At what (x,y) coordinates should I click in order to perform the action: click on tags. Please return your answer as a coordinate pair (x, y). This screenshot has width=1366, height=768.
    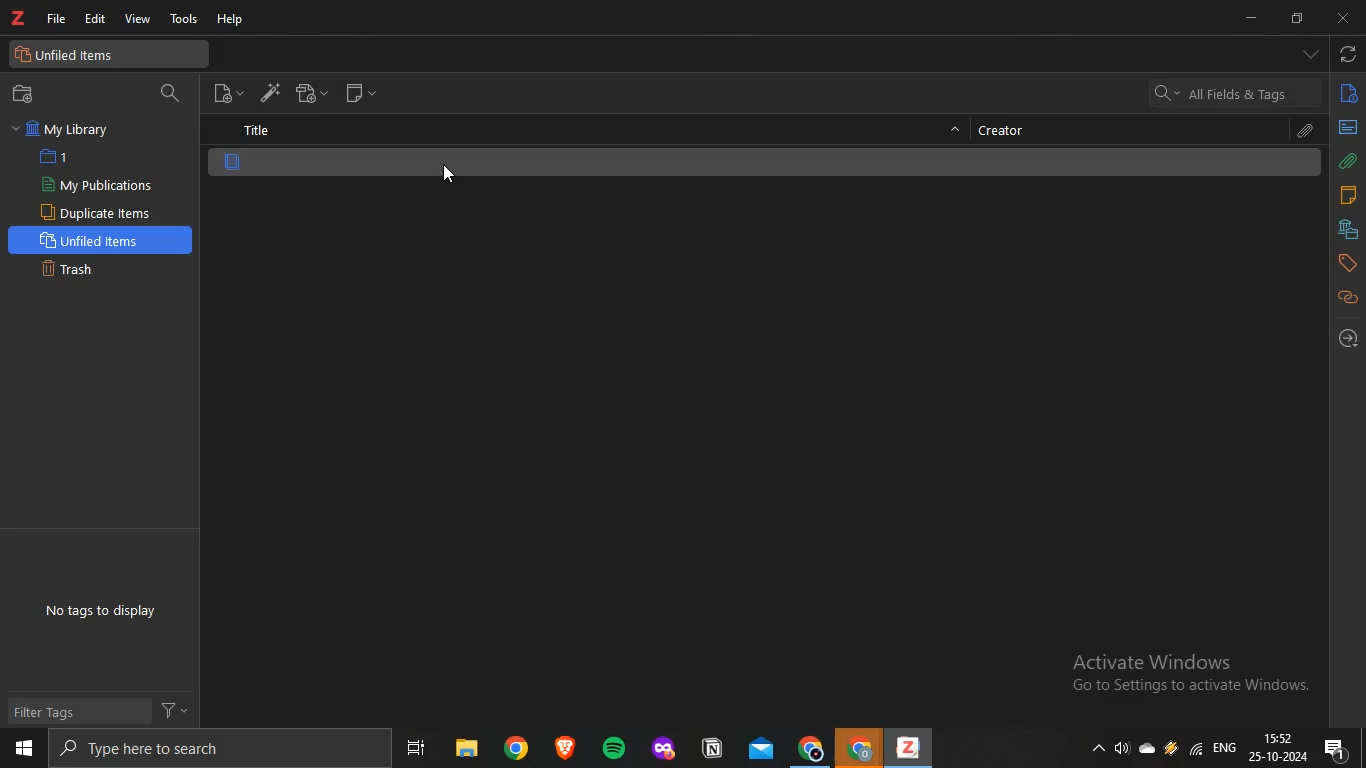
    Looking at the image, I should click on (1348, 262).